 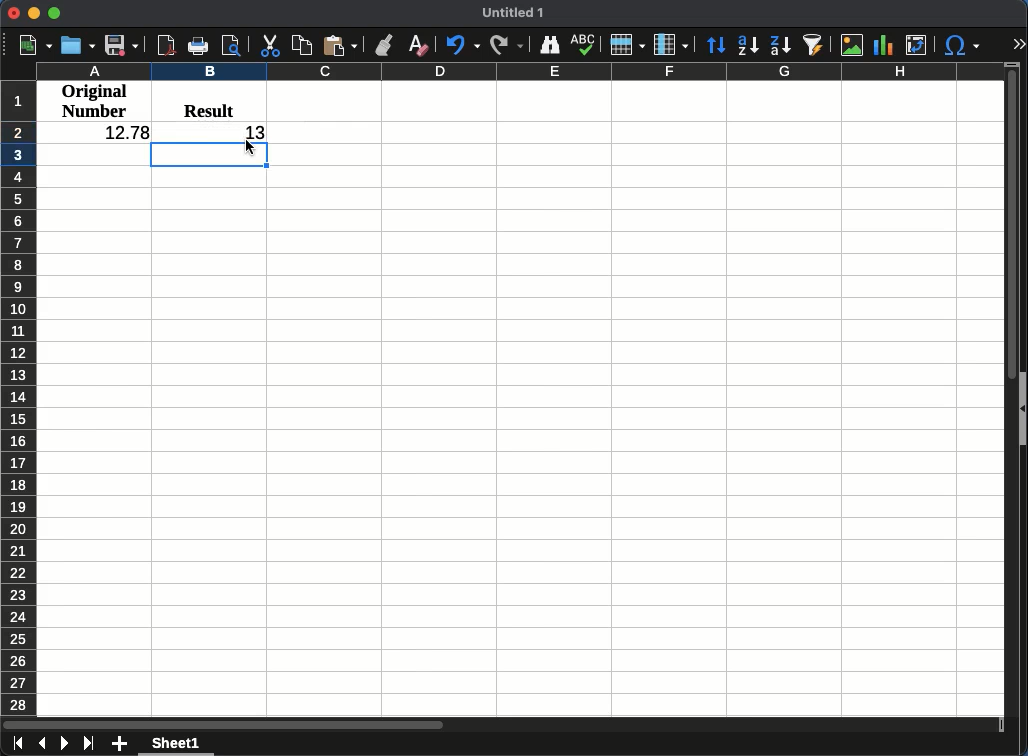 I want to click on Maximize, so click(x=54, y=14).